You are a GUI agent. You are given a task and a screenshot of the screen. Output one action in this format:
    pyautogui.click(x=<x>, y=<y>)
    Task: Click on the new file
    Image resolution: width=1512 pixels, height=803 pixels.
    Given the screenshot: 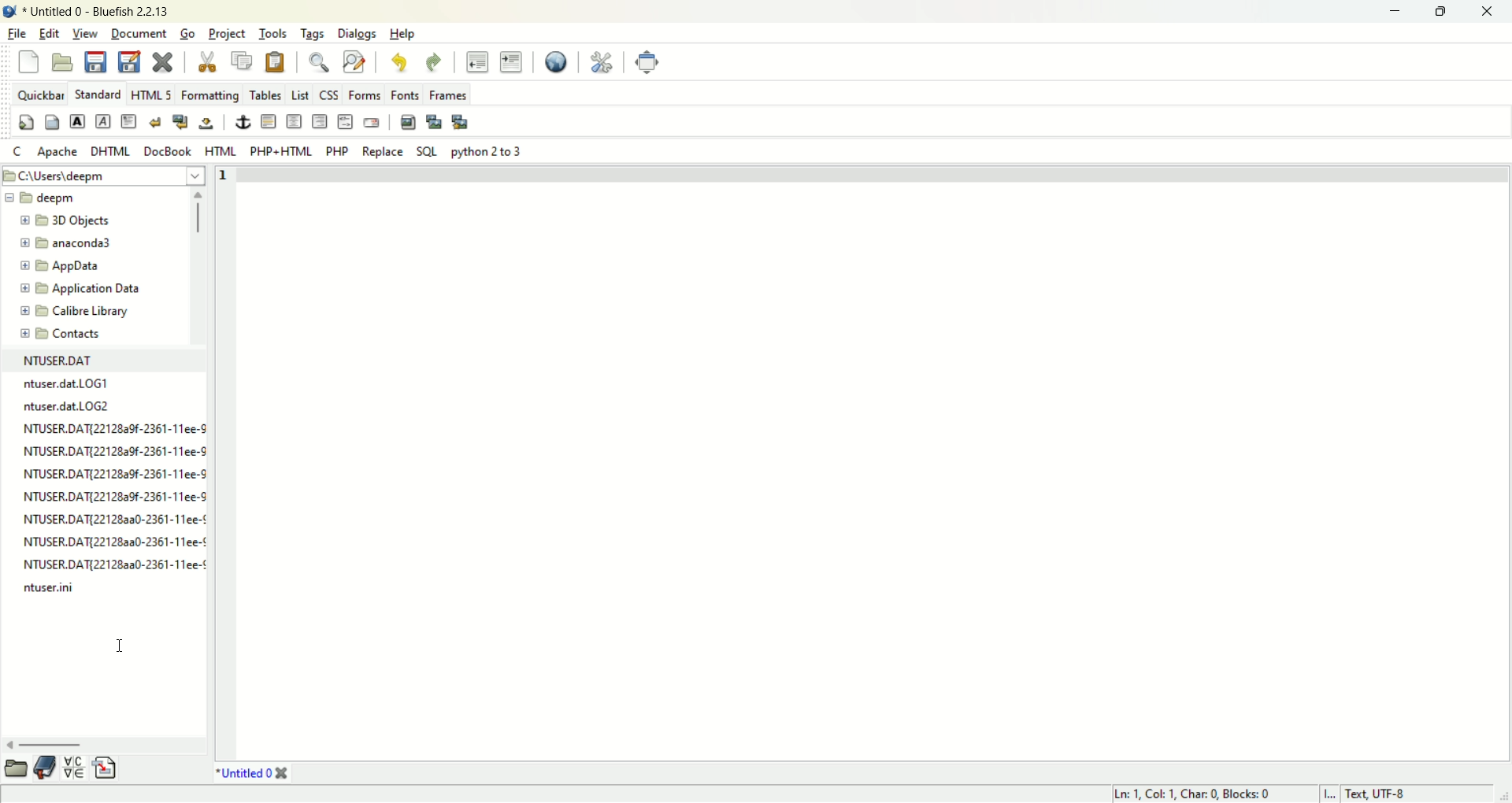 What is the action you would take?
    pyautogui.click(x=27, y=61)
    